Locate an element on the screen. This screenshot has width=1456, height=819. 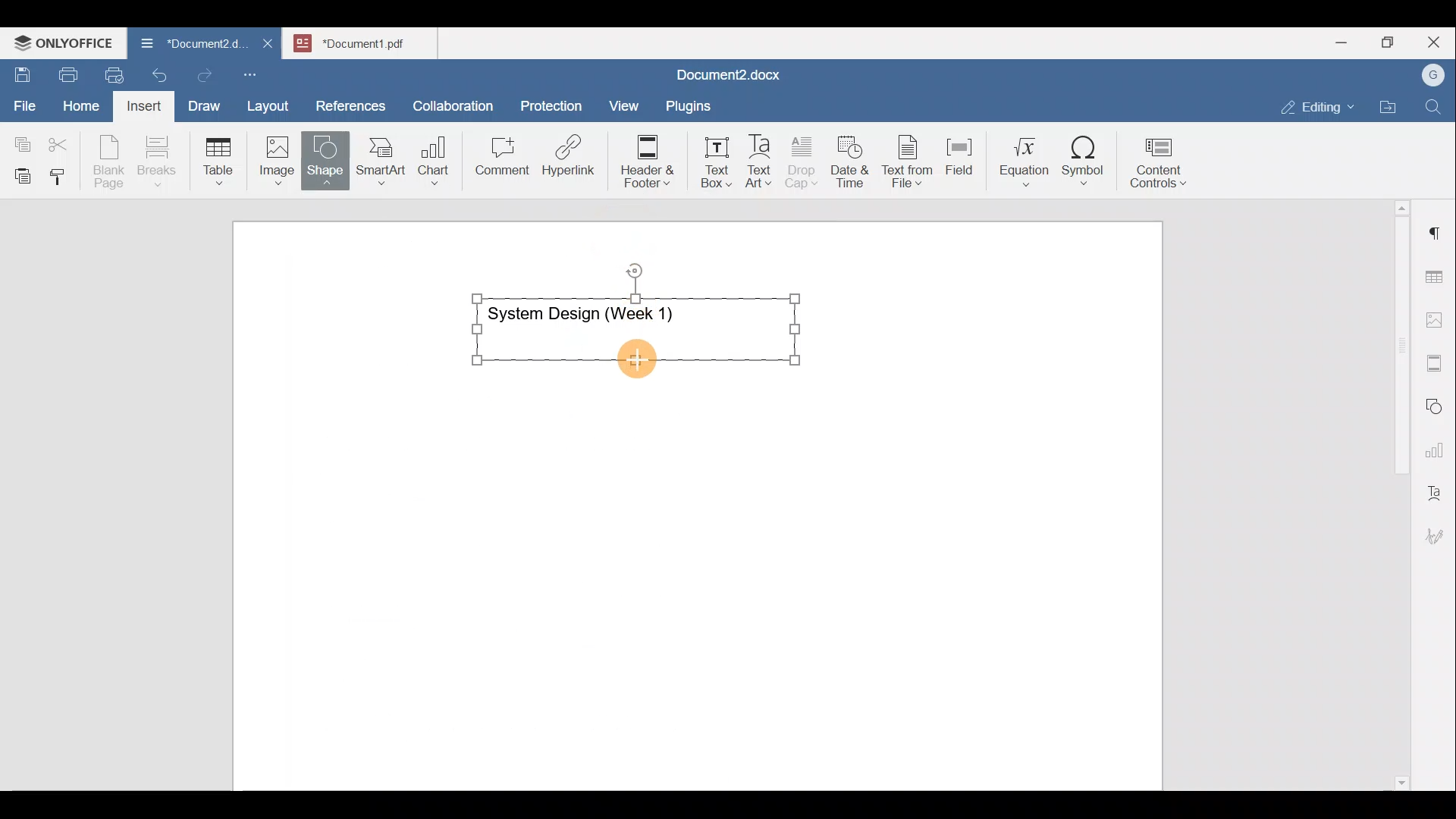
Signature settings is located at coordinates (1439, 531).